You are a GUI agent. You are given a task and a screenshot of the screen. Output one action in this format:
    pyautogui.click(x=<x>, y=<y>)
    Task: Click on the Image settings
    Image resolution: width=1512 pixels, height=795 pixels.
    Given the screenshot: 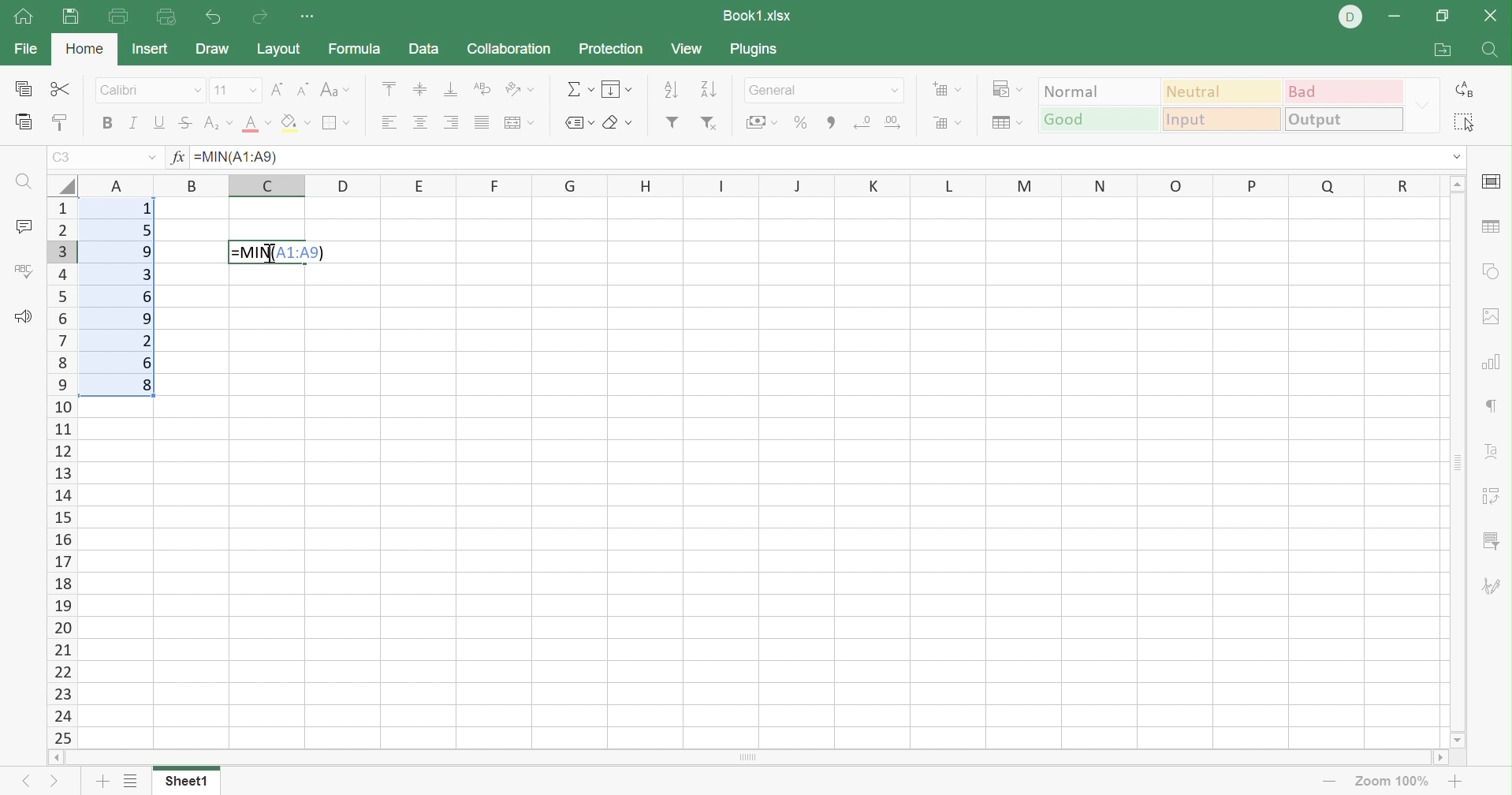 What is the action you would take?
    pyautogui.click(x=1492, y=320)
    